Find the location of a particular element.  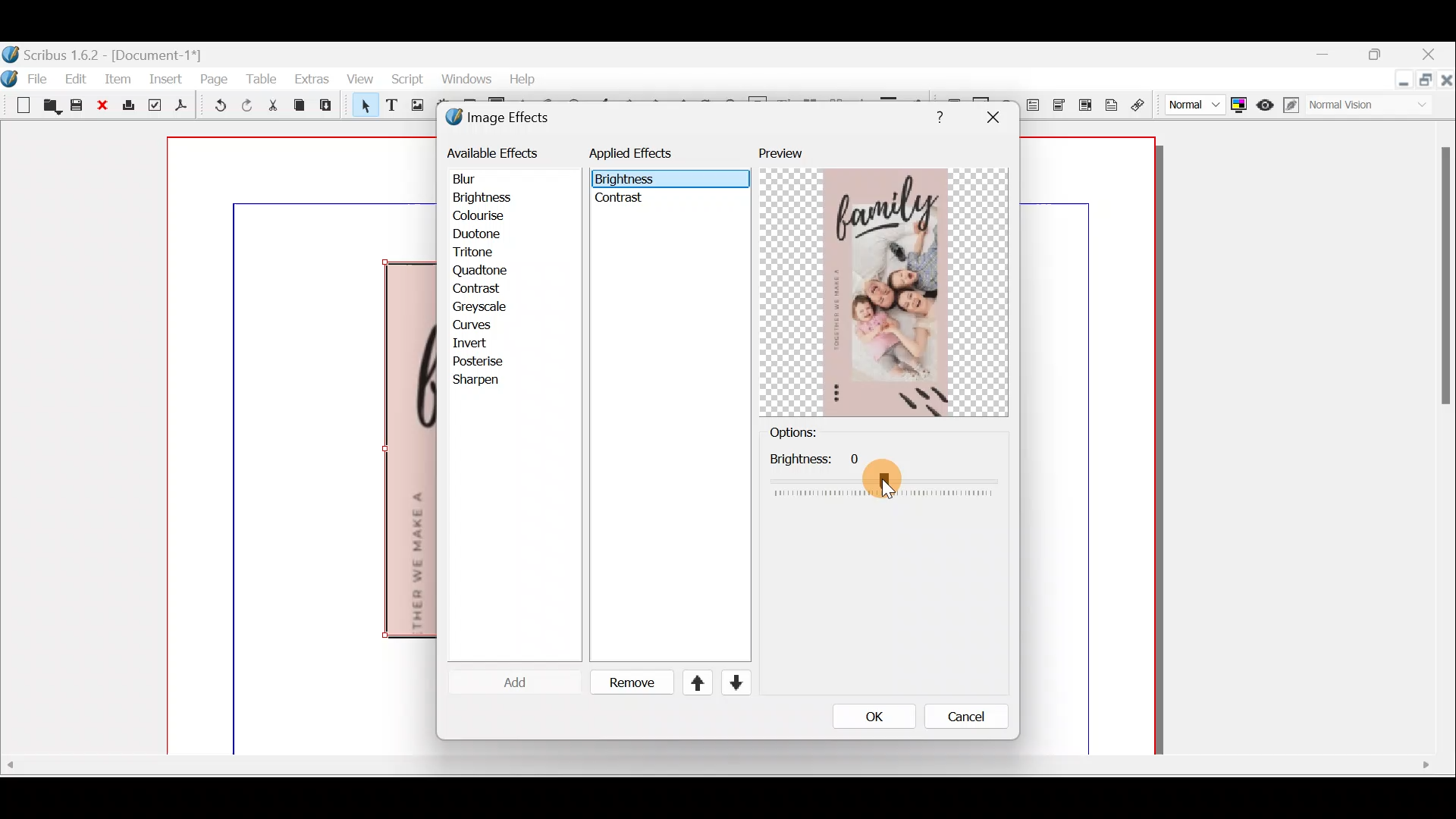

Move up is located at coordinates (691, 682).